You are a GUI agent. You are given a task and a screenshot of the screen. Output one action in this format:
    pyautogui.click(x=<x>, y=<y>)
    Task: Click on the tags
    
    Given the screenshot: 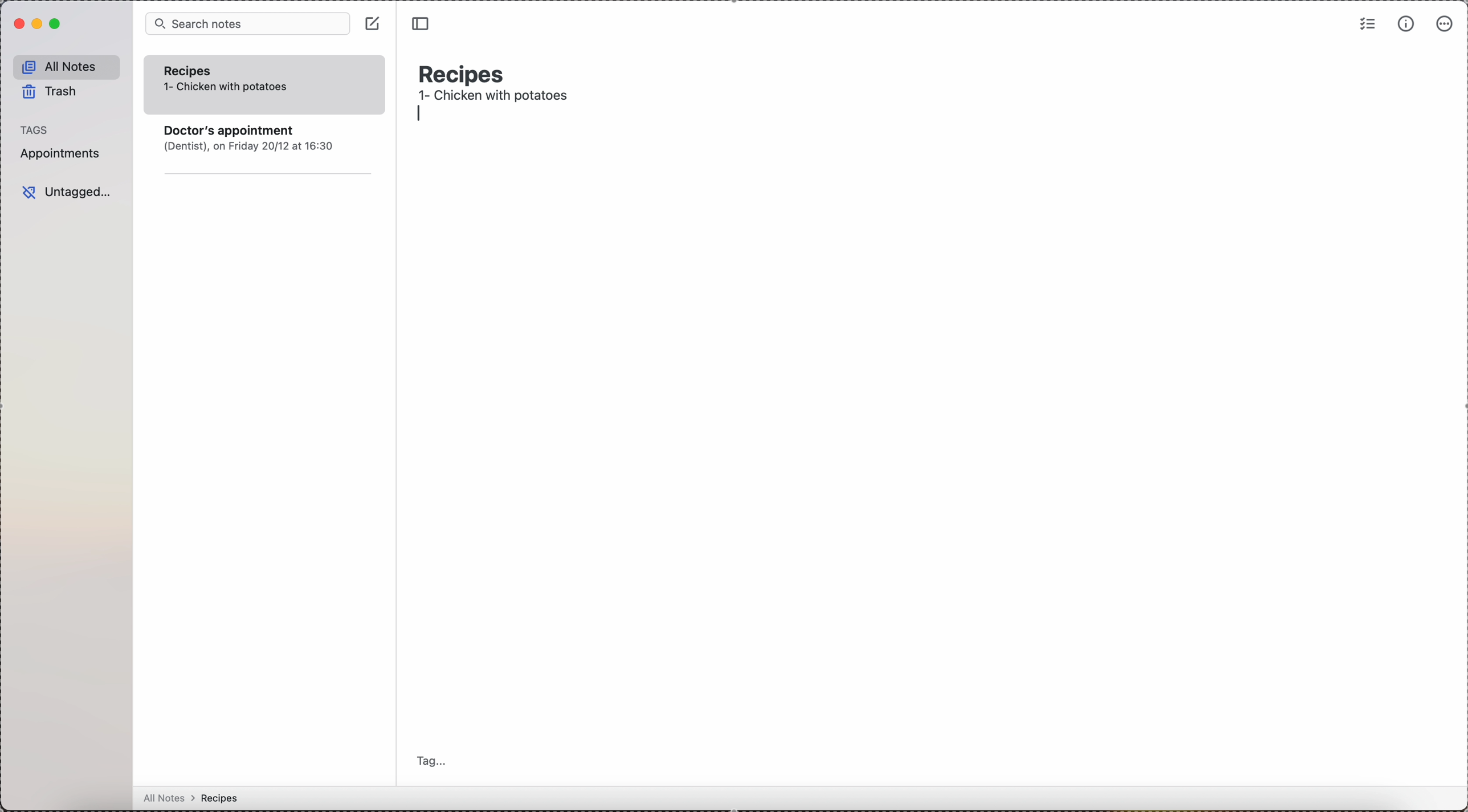 What is the action you would take?
    pyautogui.click(x=34, y=128)
    